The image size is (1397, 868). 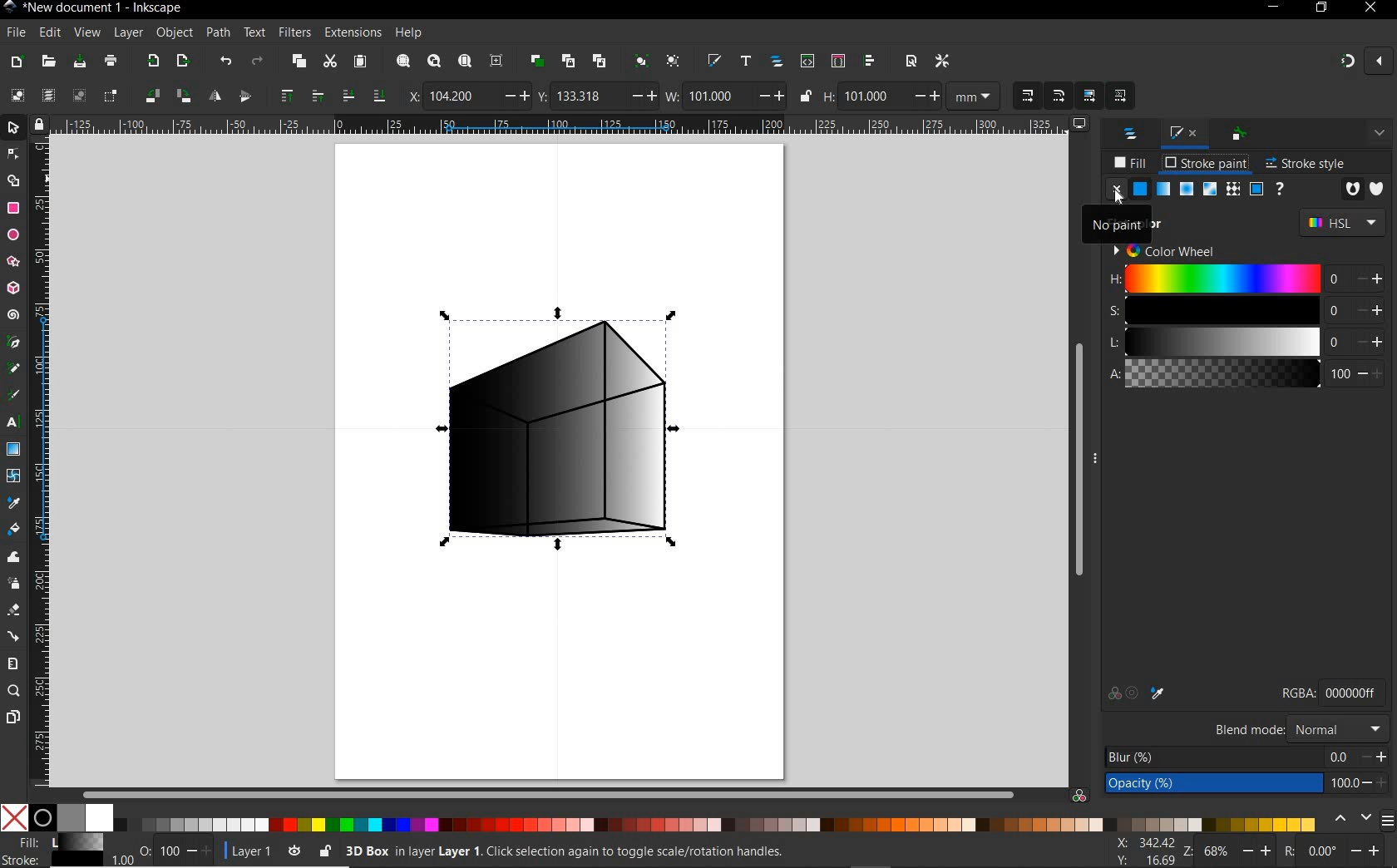 What do you see at coordinates (640, 60) in the screenshot?
I see `GROUP` at bounding box center [640, 60].